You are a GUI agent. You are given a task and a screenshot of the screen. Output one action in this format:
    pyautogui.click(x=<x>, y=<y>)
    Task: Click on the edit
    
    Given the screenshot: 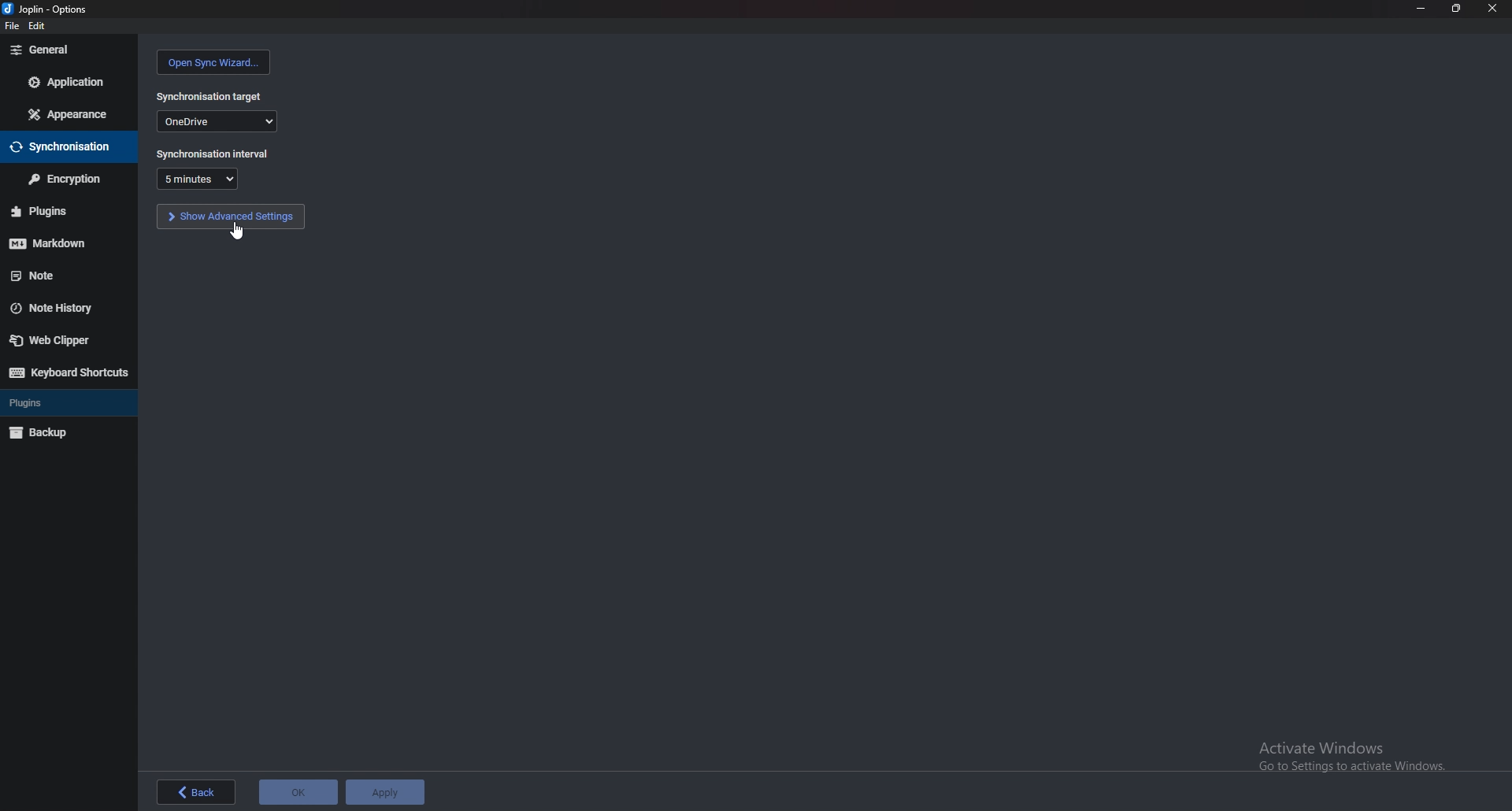 What is the action you would take?
    pyautogui.click(x=39, y=26)
    